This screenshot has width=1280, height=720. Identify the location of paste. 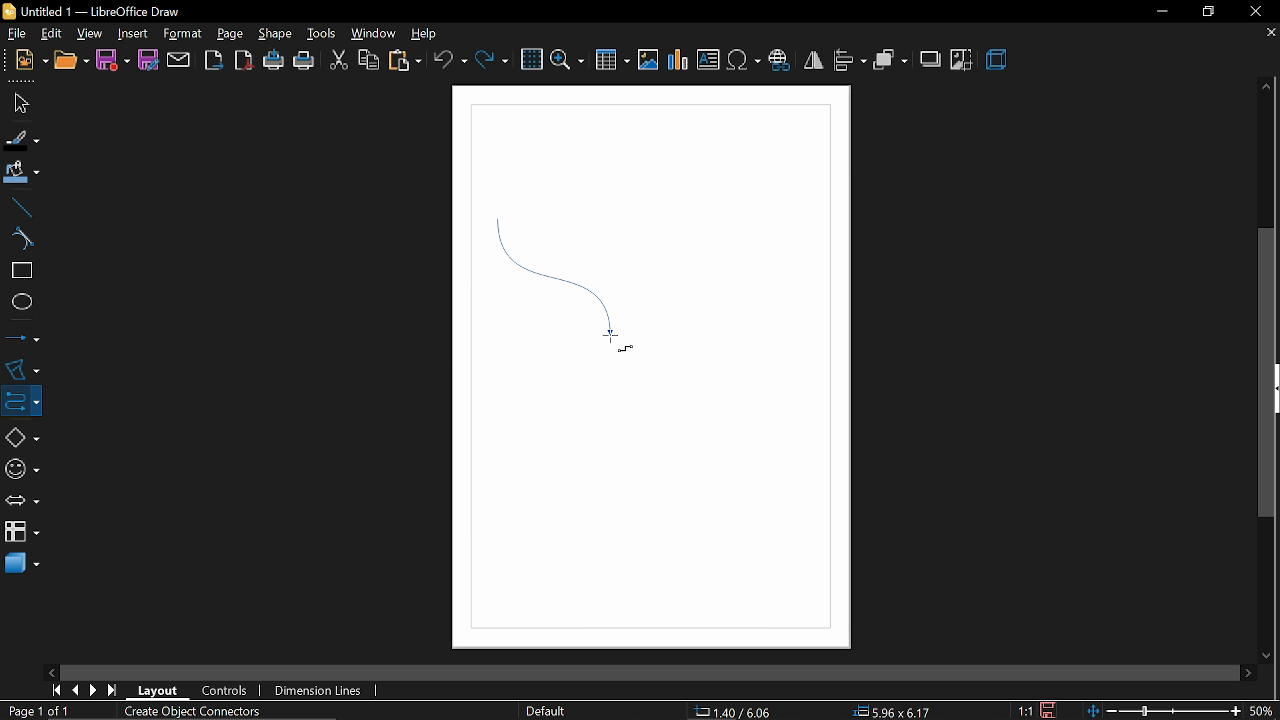
(404, 61).